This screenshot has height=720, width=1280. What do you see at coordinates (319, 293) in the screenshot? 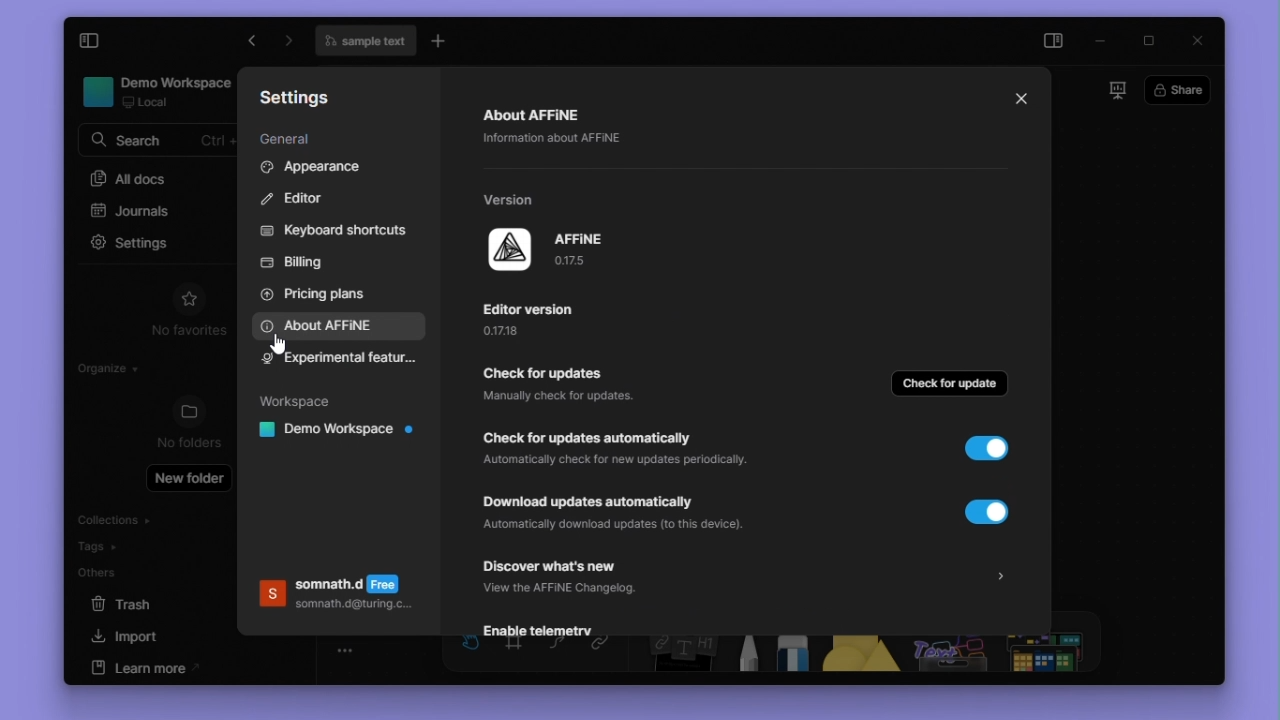
I see `Pricing plans` at bounding box center [319, 293].